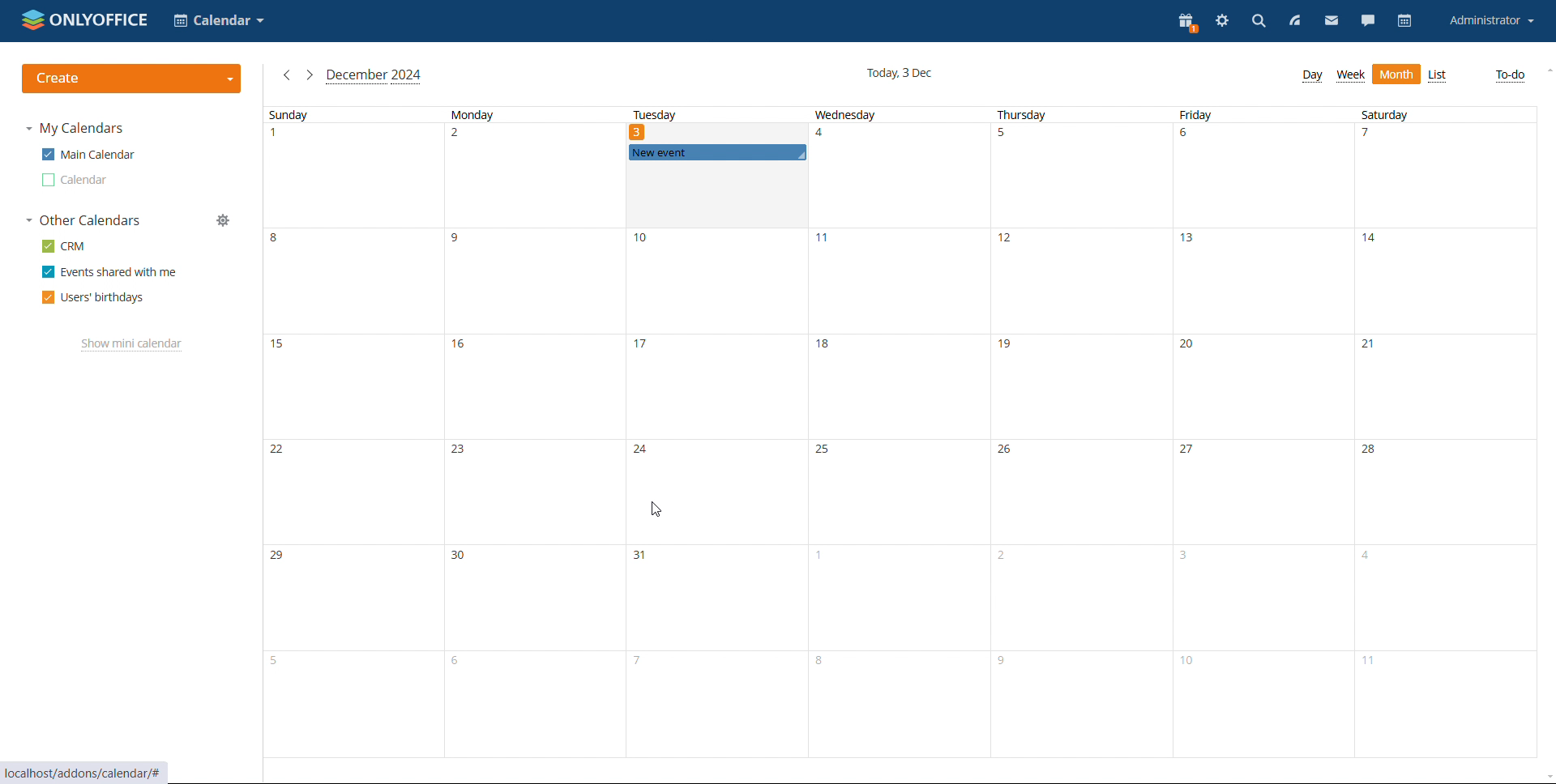 The image size is (1556, 784). I want to click on date, so click(1083, 388).